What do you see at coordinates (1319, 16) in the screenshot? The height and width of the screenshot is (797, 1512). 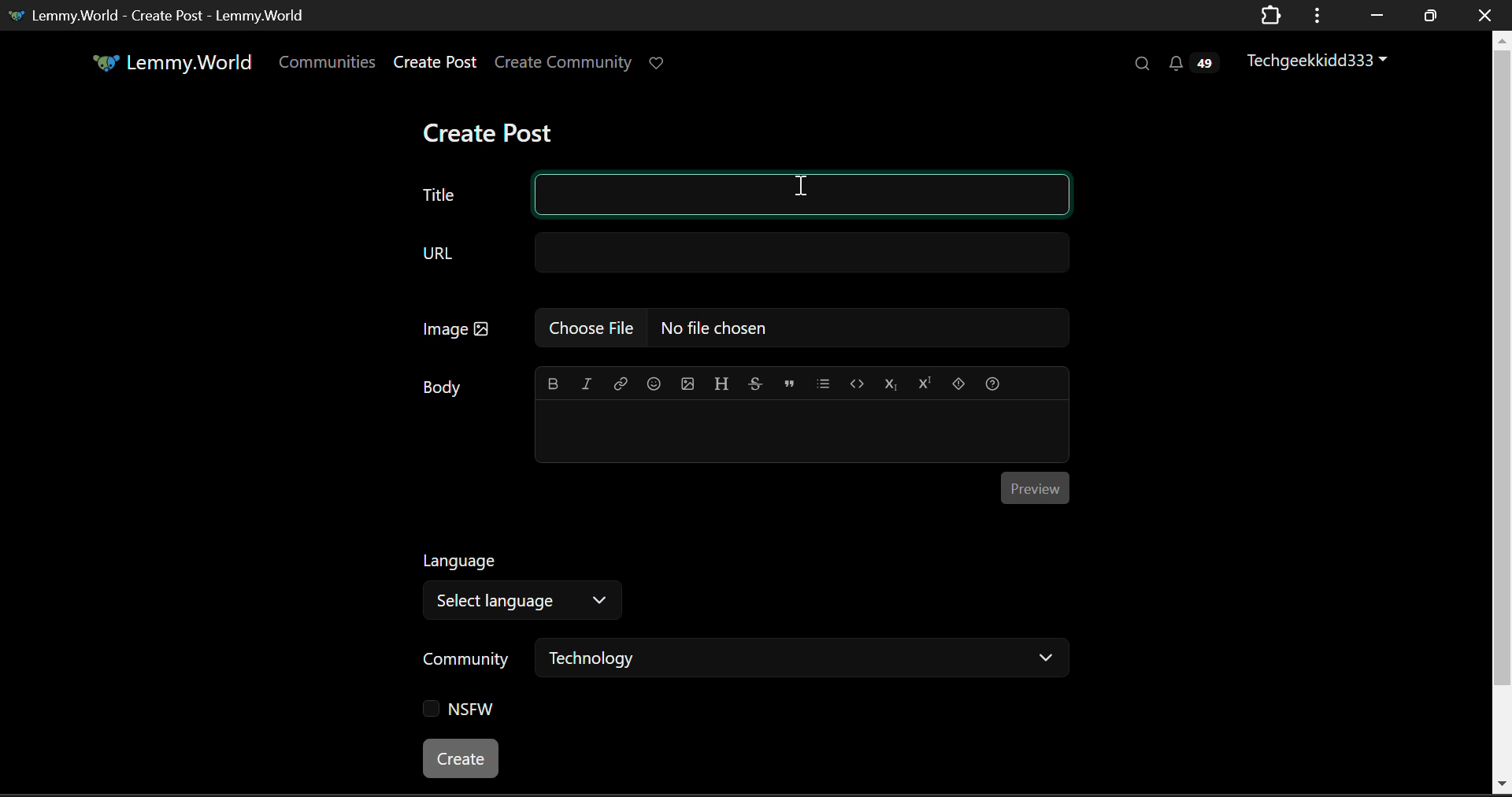 I see `Window Options` at bounding box center [1319, 16].